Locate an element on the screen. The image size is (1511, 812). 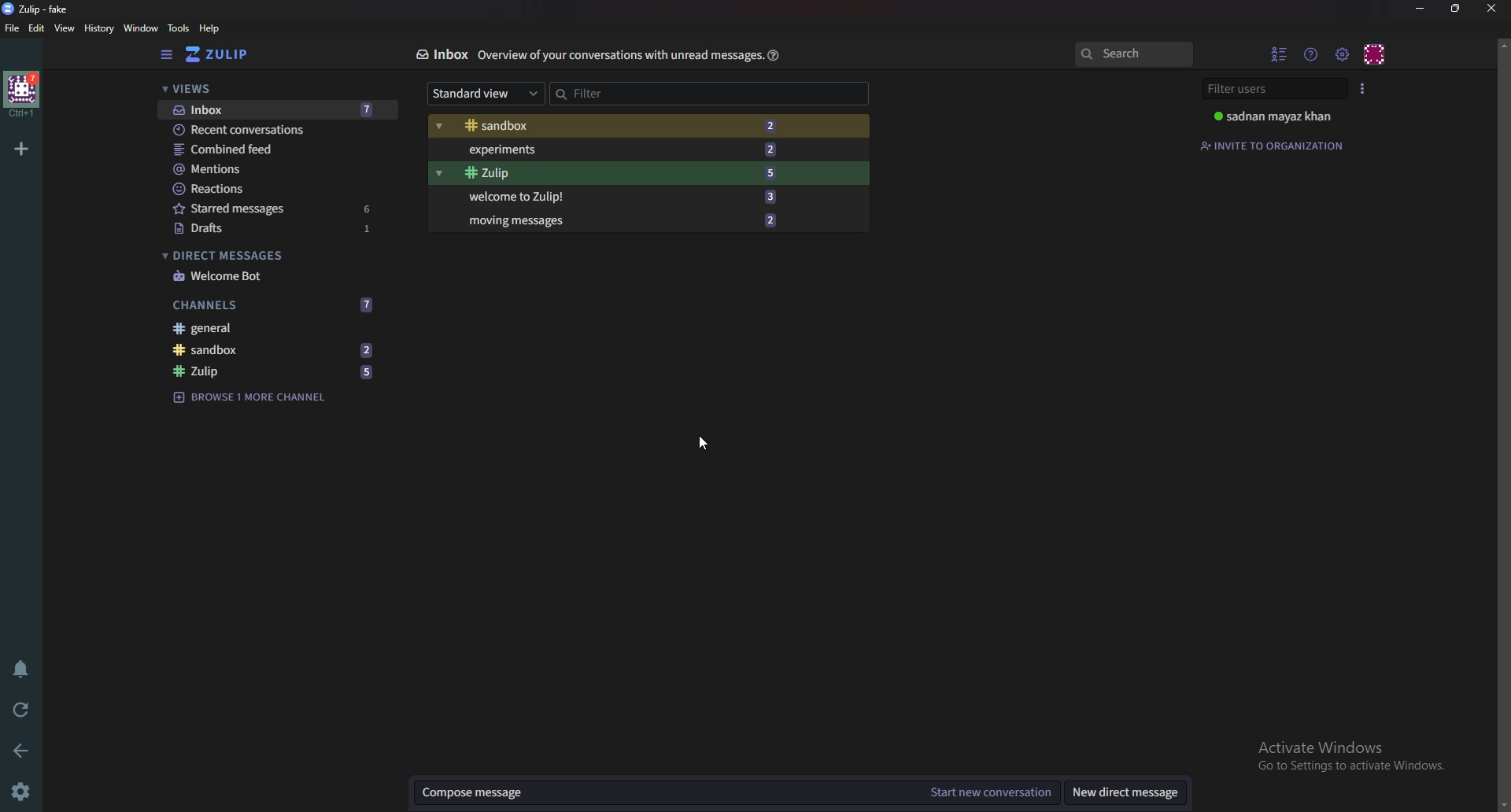
views is located at coordinates (274, 88).